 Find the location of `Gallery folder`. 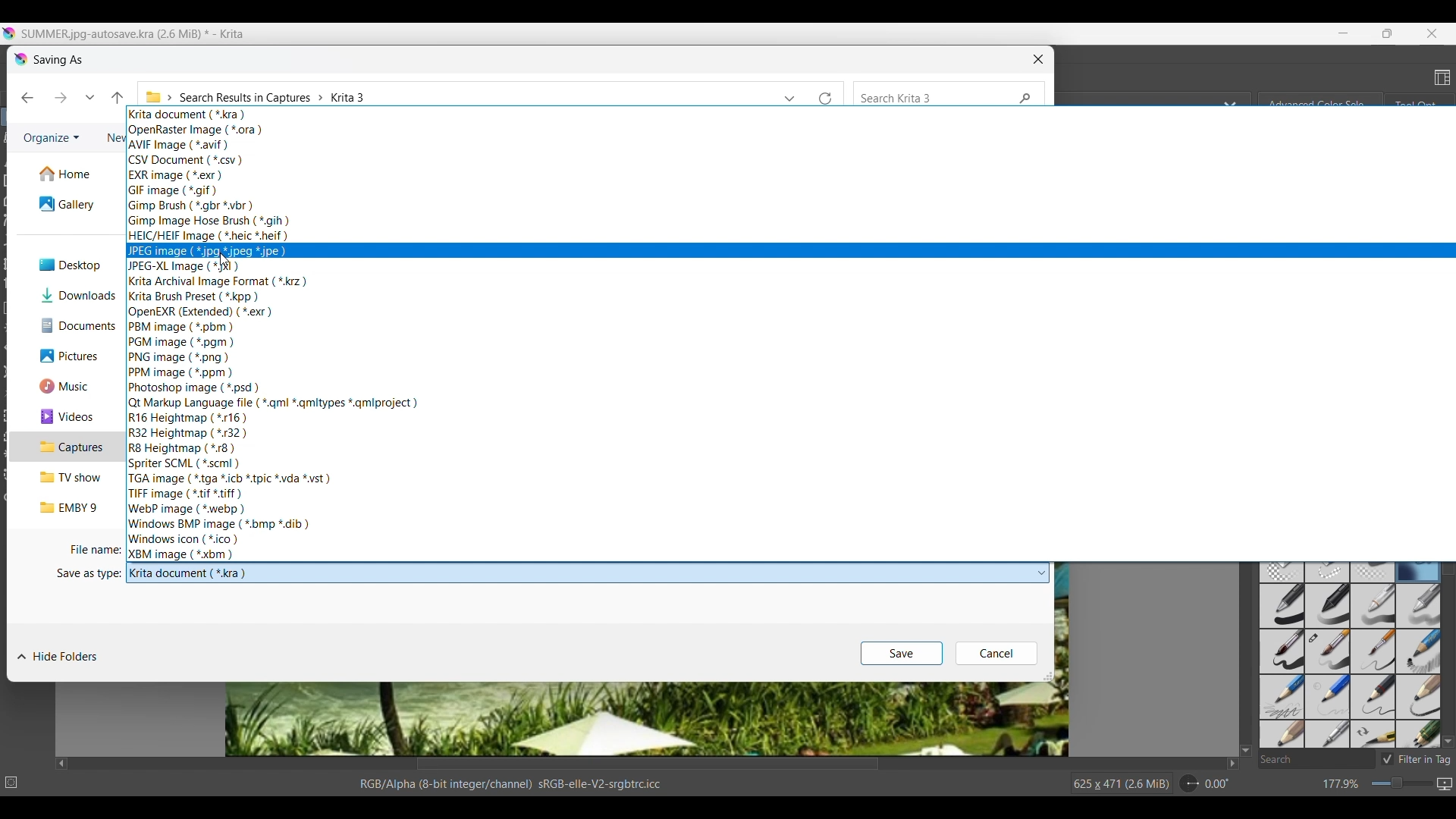

Gallery folder is located at coordinates (66, 204).